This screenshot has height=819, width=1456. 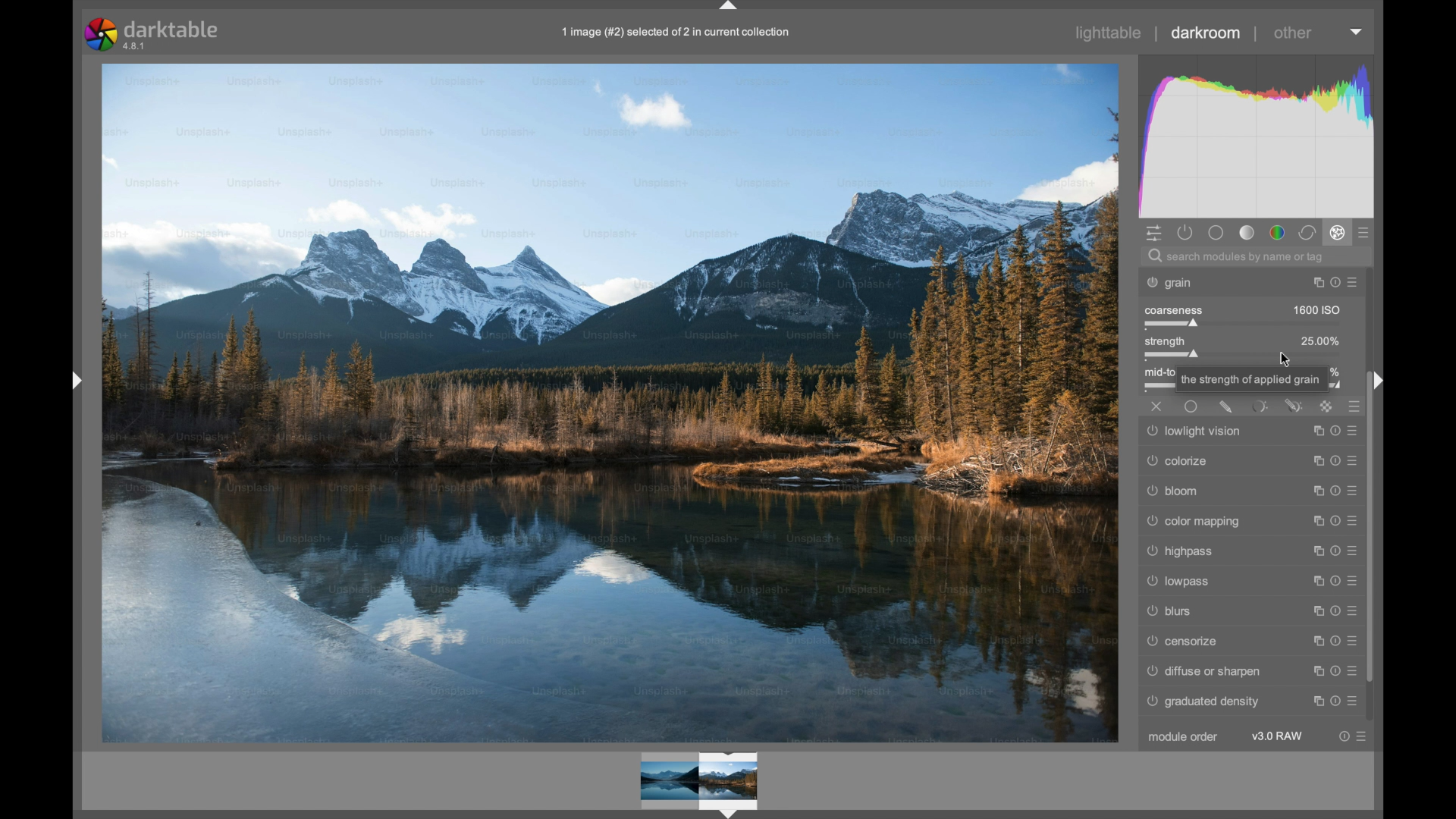 I want to click on instance, so click(x=1316, y=701).